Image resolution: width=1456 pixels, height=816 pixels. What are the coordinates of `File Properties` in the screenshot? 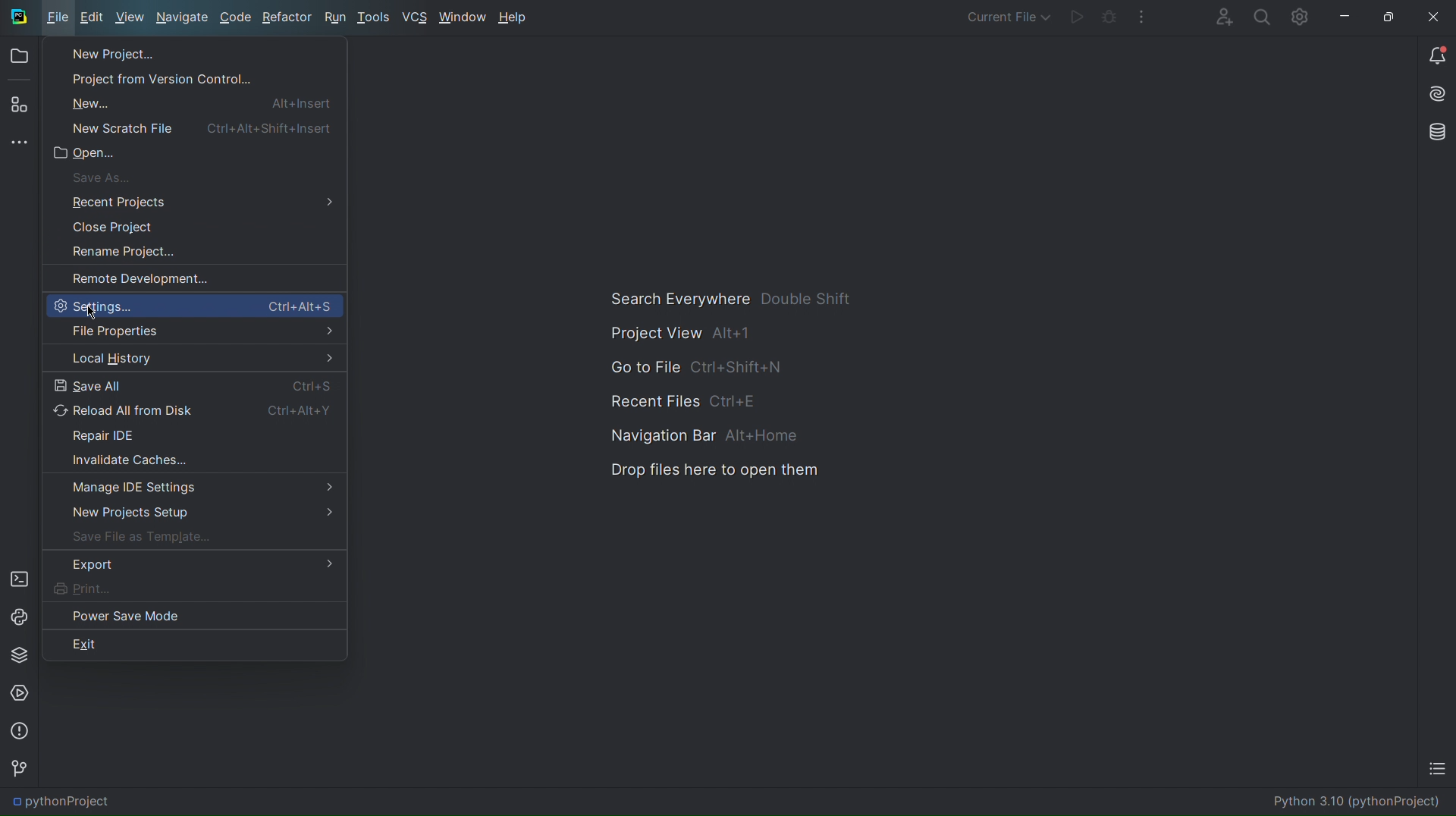 It's located at (193, 331).